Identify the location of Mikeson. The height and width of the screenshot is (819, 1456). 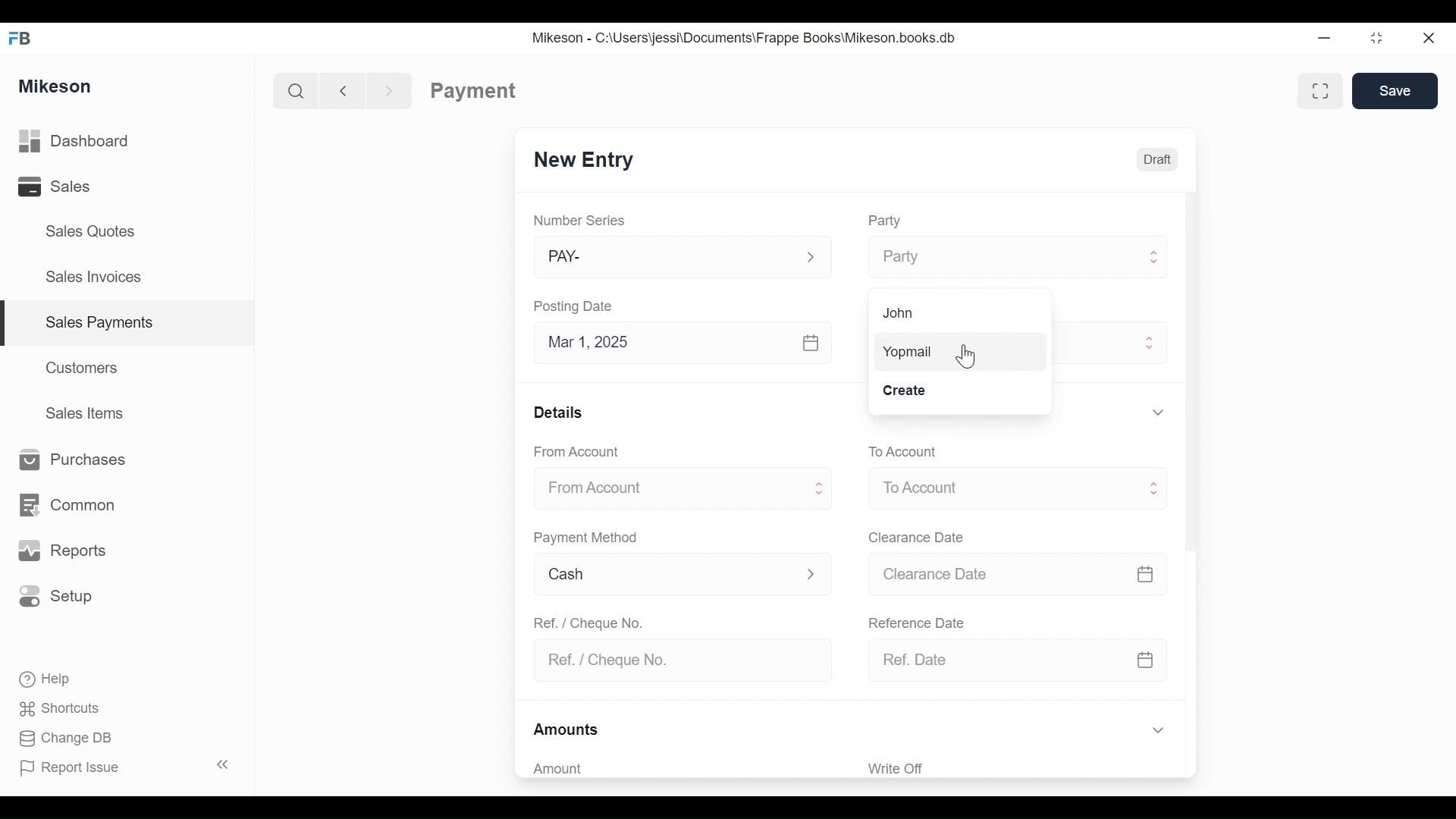
(56, 84).